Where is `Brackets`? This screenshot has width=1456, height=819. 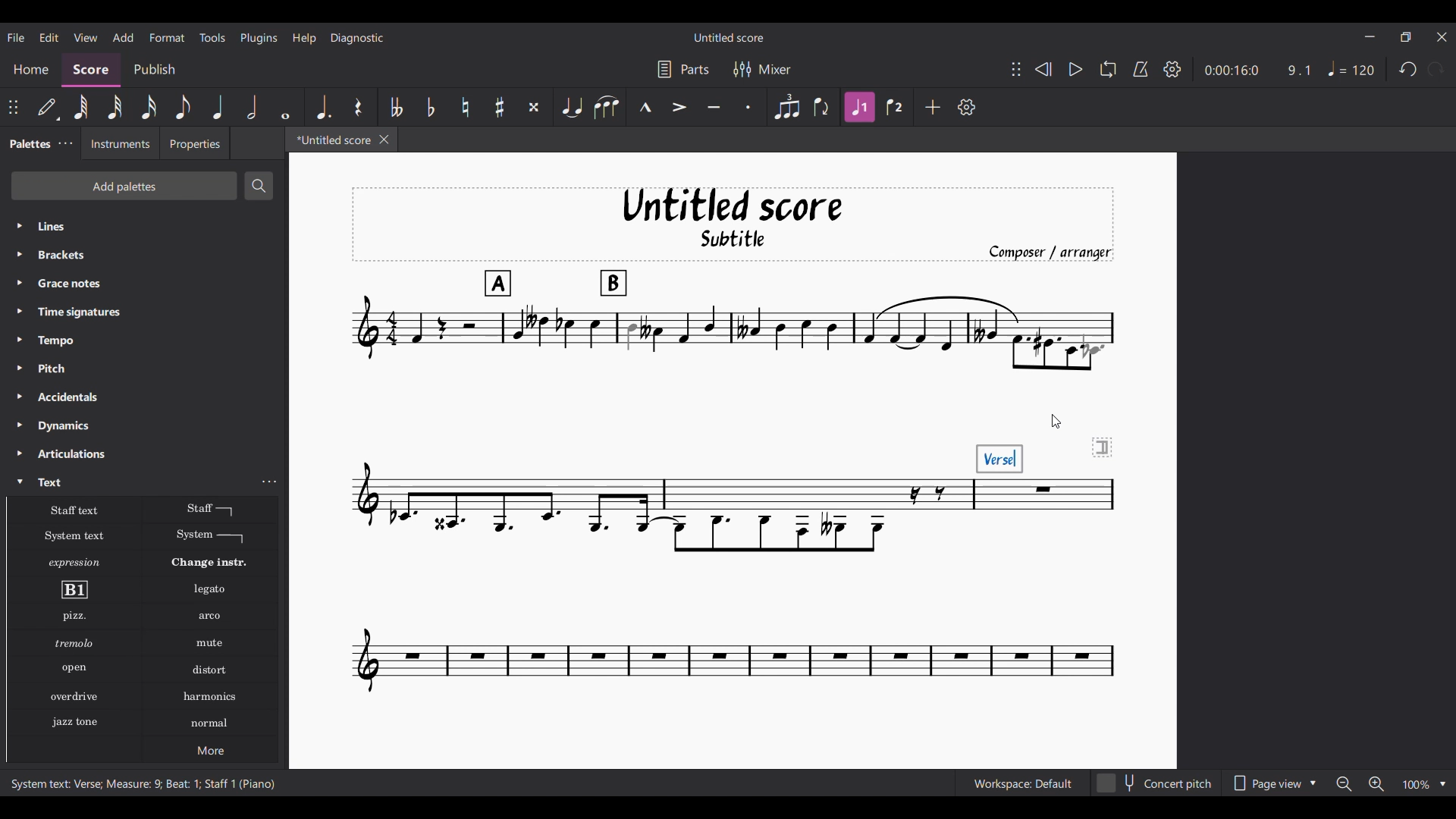 Brackets is located at coordinates (143, 255).